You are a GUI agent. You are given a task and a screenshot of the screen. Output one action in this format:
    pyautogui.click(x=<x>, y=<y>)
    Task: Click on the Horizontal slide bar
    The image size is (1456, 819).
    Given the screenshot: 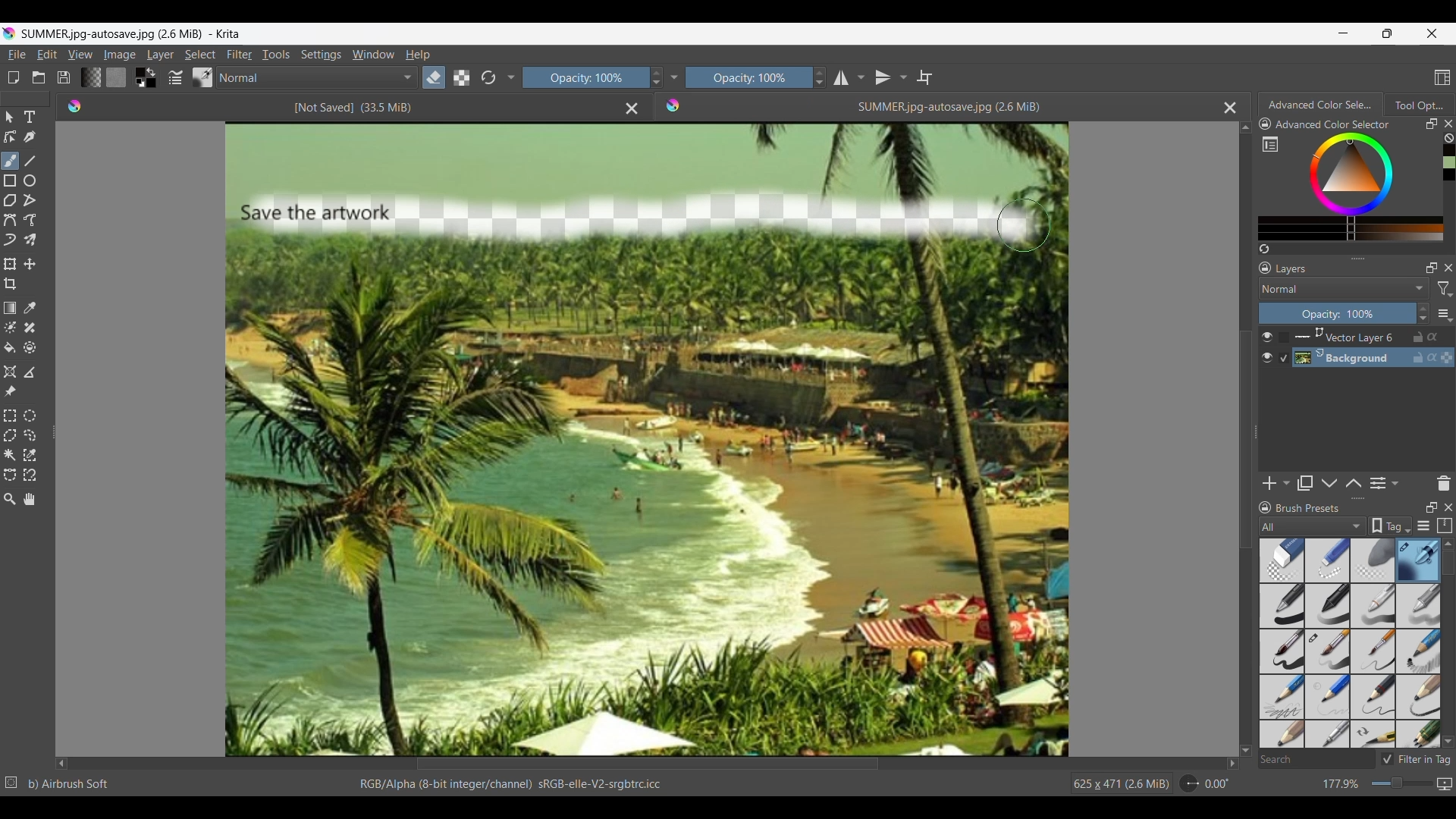 What is the action you would take?
    pyautogui.click(x=648, y=764)
    